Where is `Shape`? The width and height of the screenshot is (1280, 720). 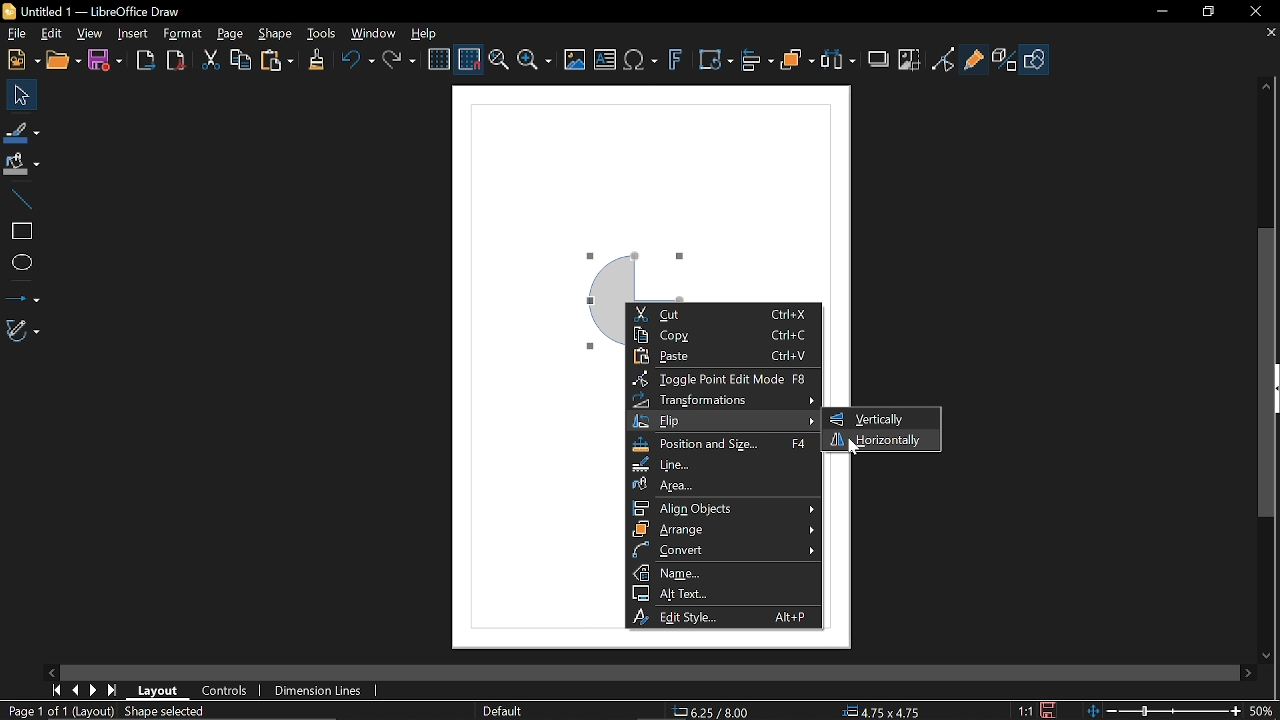 Shape is located at coordinates (278, 34).